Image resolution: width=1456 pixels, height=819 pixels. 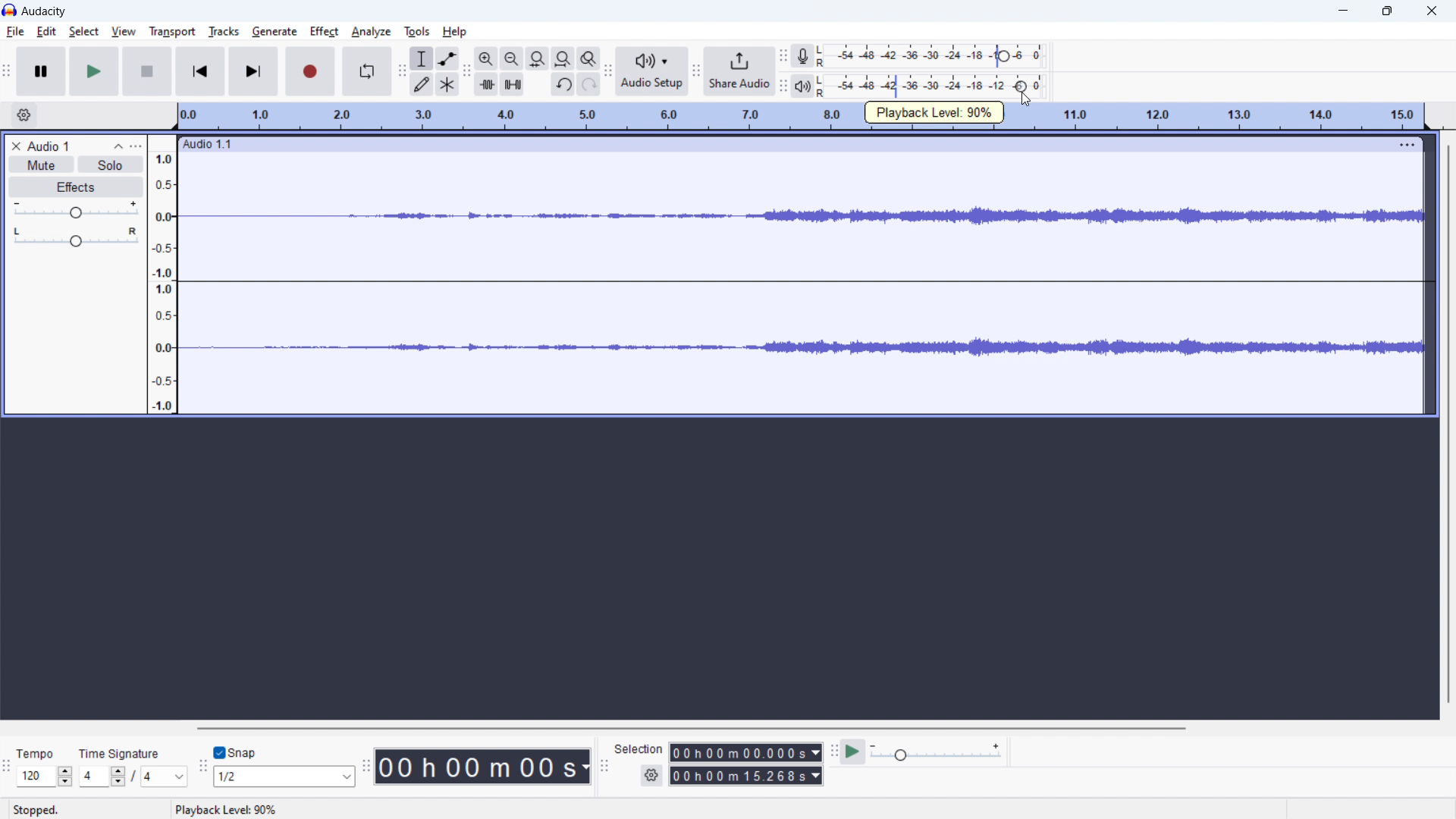 I want to click on logo, so click(x=9, y=10).